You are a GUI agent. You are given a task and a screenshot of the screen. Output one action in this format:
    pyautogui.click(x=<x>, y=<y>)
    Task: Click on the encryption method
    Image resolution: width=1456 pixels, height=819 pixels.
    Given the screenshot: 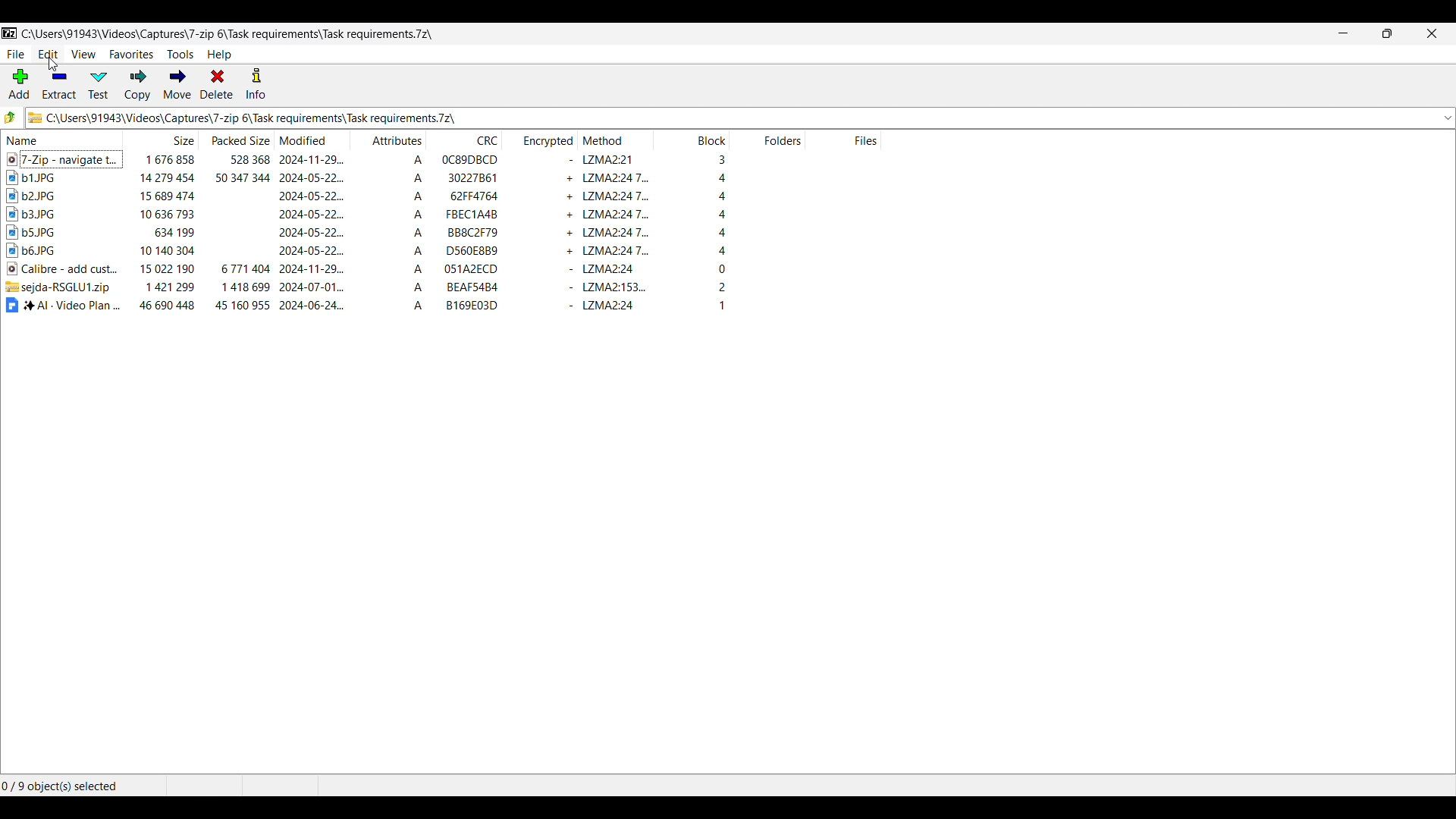 What is the action you would take?
    pyautogui.click(x=617, y=235)
    